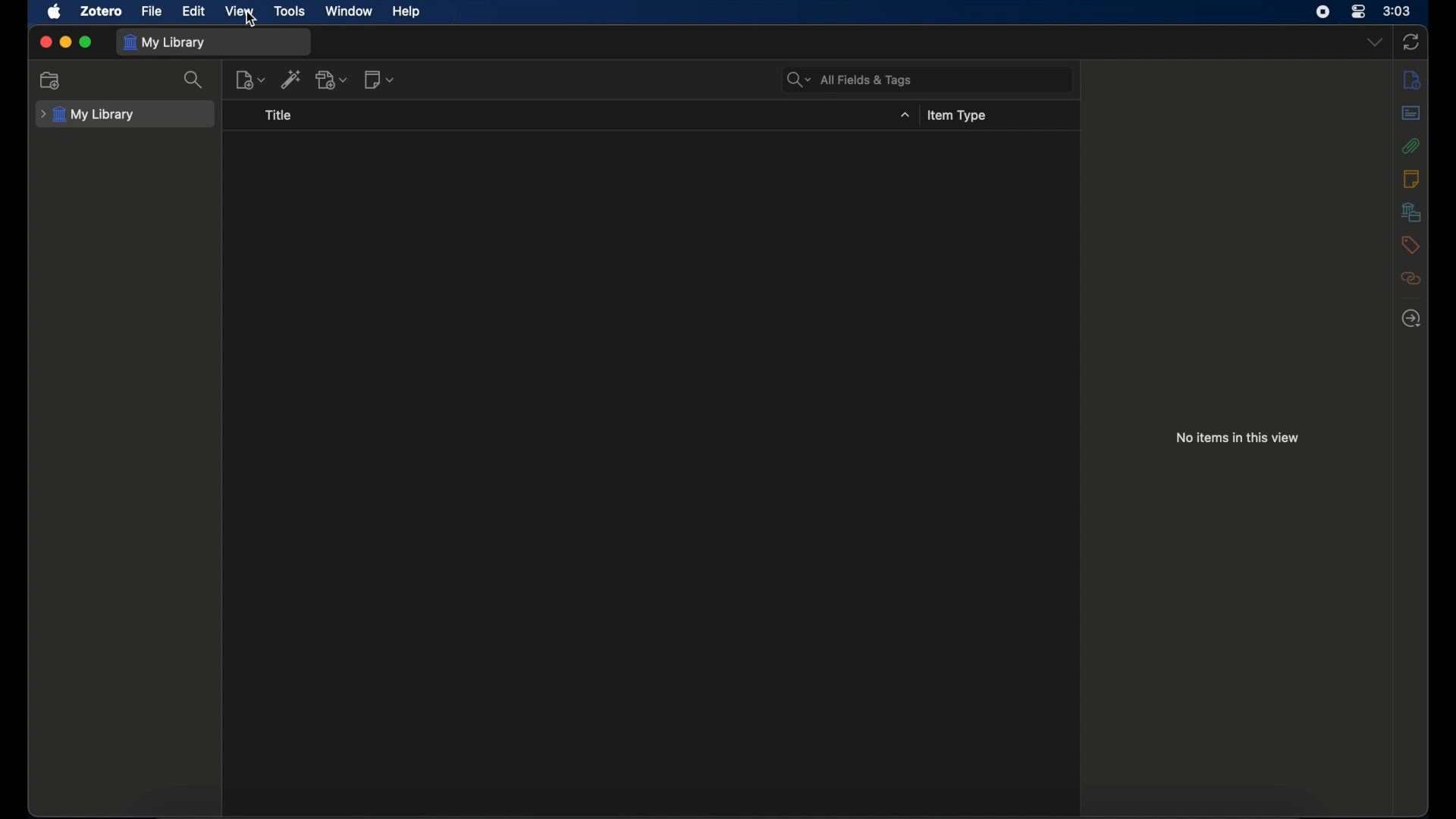 Image resolution: width=1456 pixels, height=819 pixels. What do you see at coordinates (152, 11) in the screenshot?
I see `file` at bounding box center [152, 11].